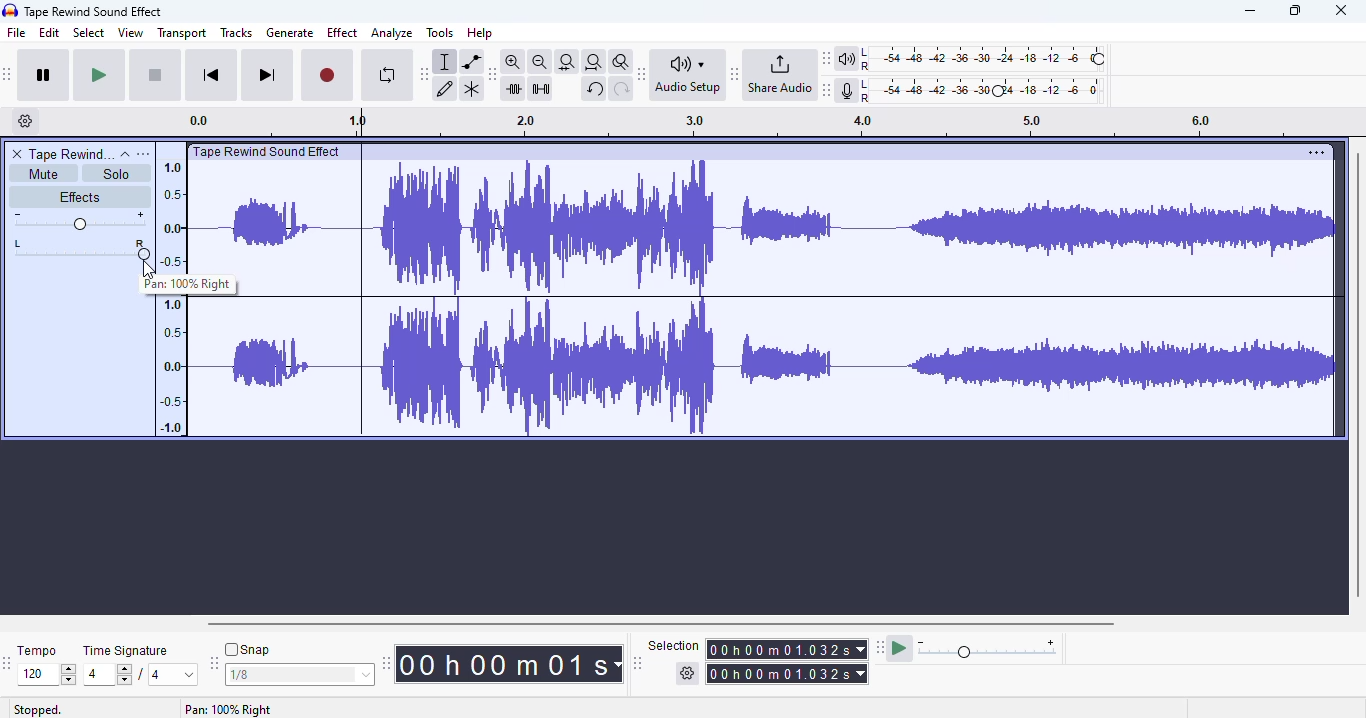 This screenshot has height=718, width=1366. Describe the element at coordinates (155, 76) in the screenshot. I see `stop` at that location.